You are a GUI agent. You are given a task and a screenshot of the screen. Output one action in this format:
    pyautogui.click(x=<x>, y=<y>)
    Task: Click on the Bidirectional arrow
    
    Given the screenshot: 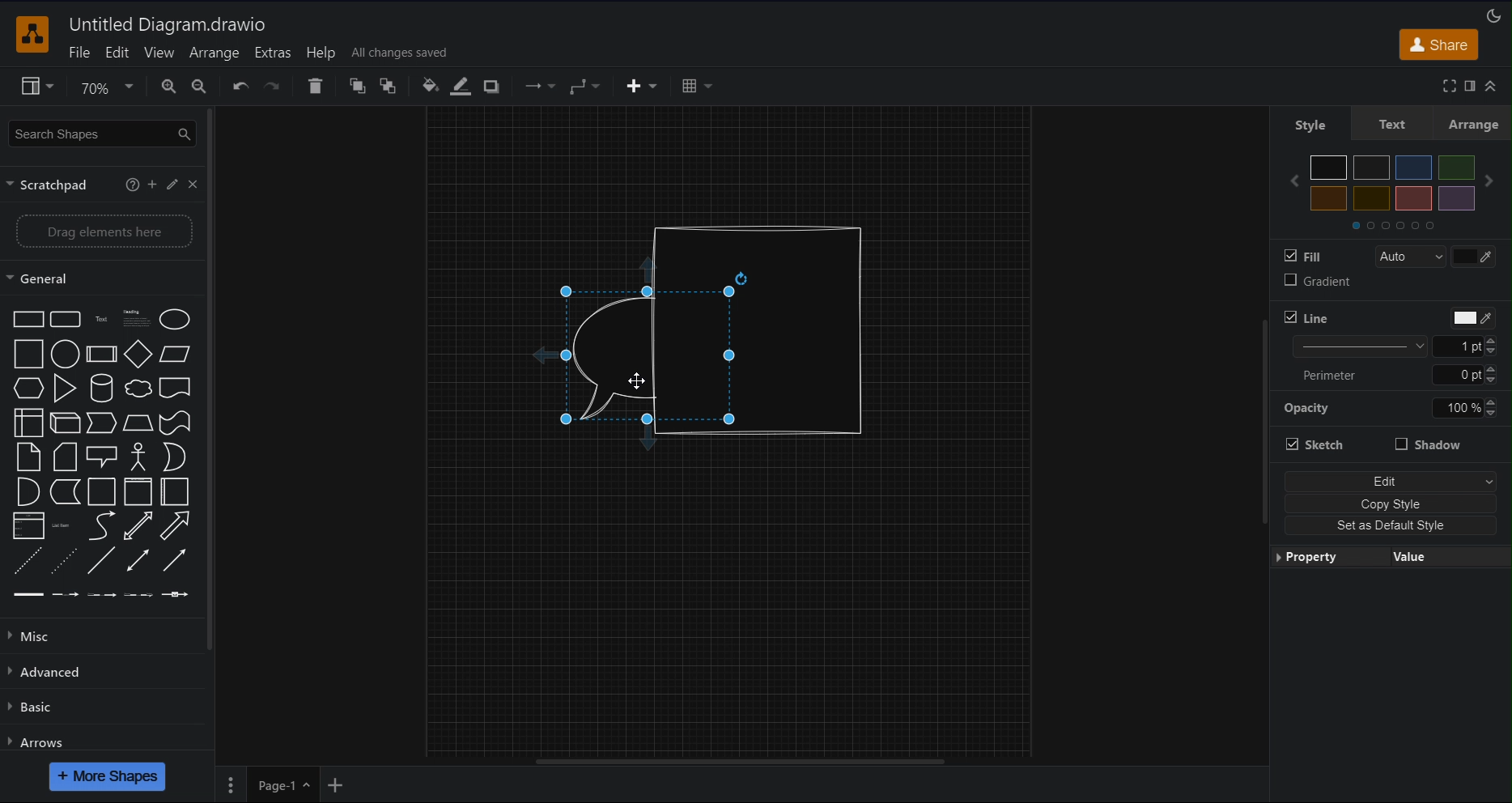 What is the action you would take?
    pyautogui.click(x=138, y=525)
    